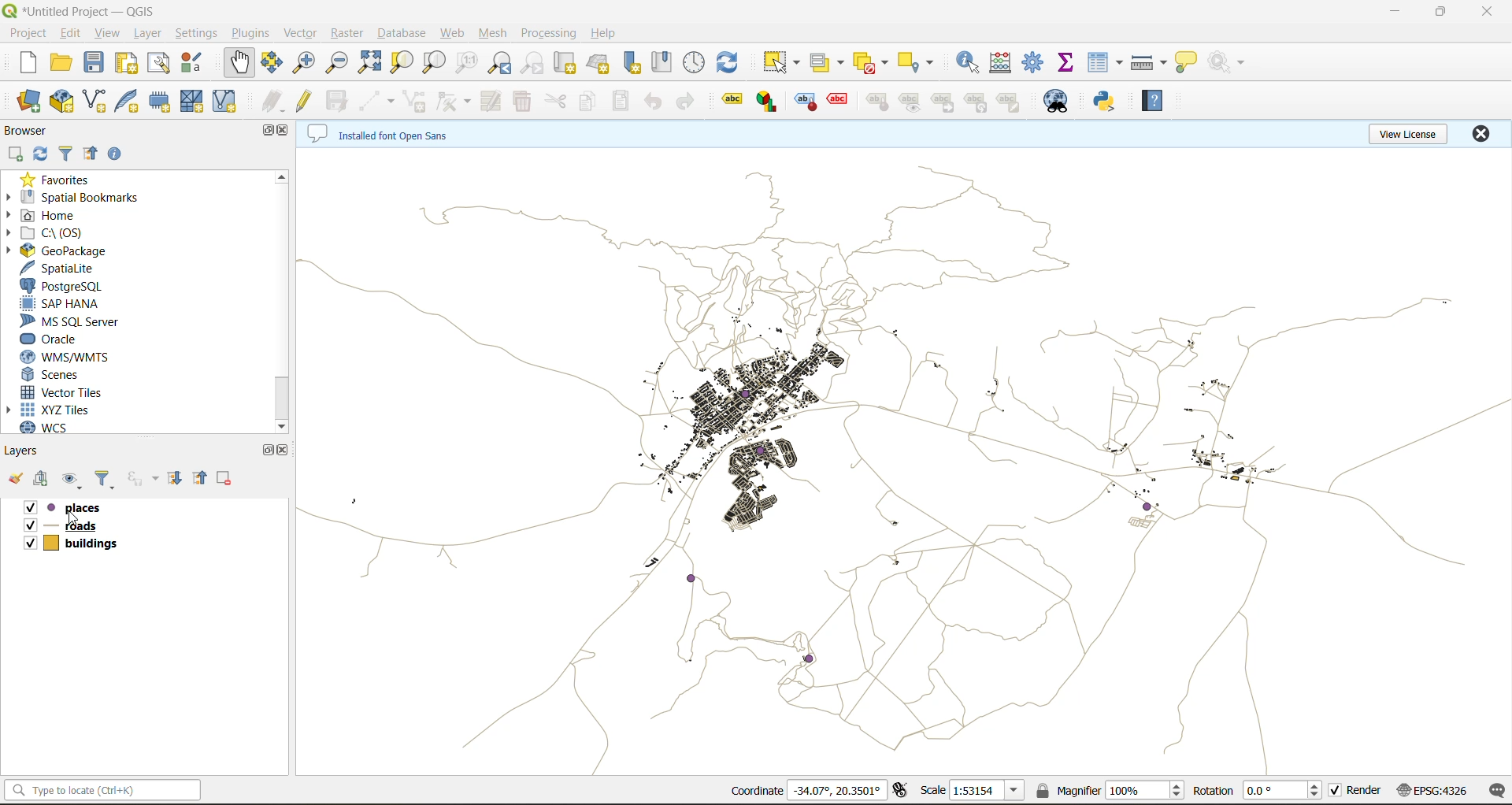 The width and height of the screenshot is (1512, 805). What do you see at coordinates (104, 790) in the screenshot?
I see `status bar` at bounding box center [104, 790].